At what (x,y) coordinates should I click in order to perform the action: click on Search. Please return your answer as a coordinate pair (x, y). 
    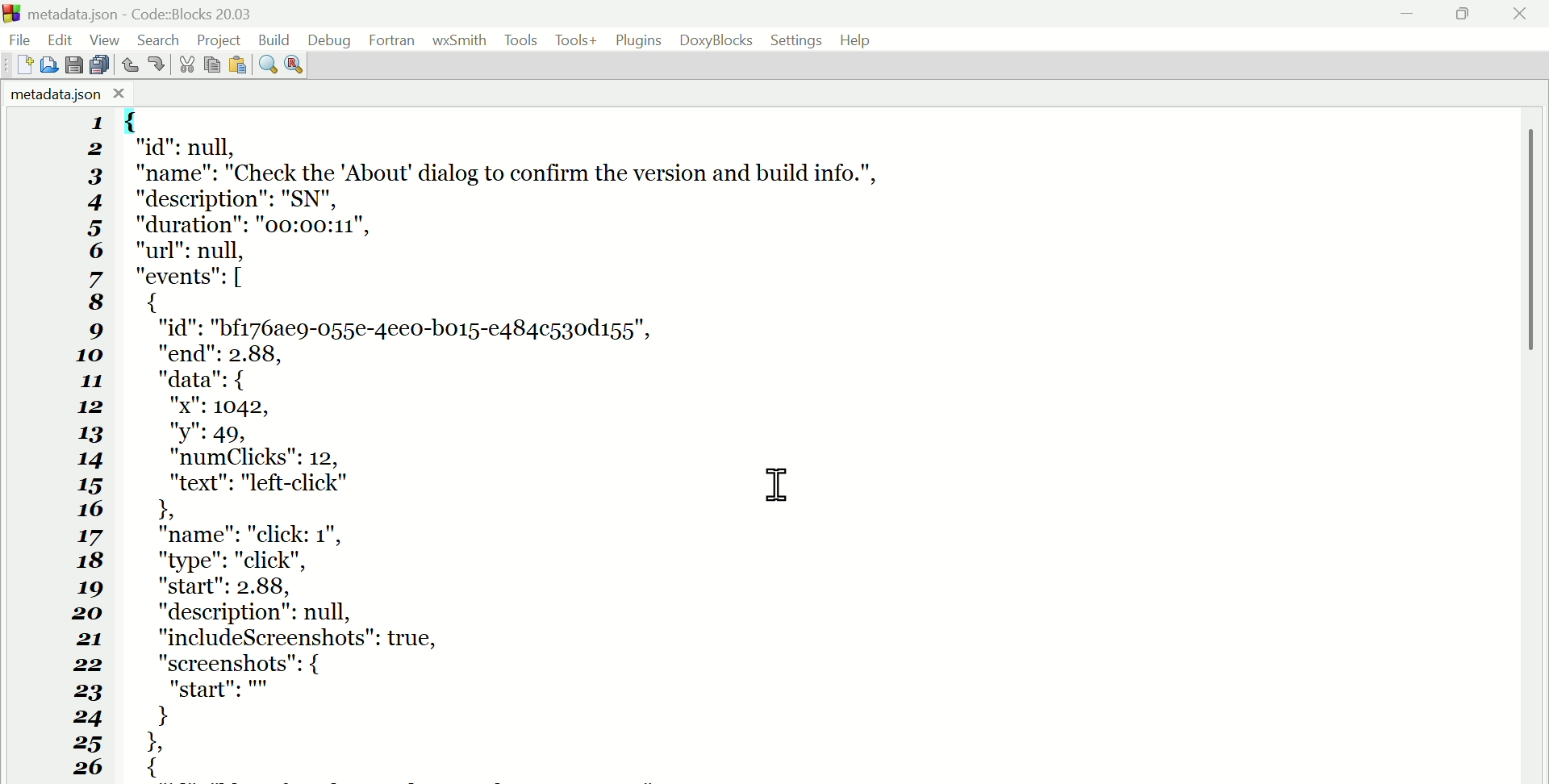
    Looking at the image, I should click on (164, 38).